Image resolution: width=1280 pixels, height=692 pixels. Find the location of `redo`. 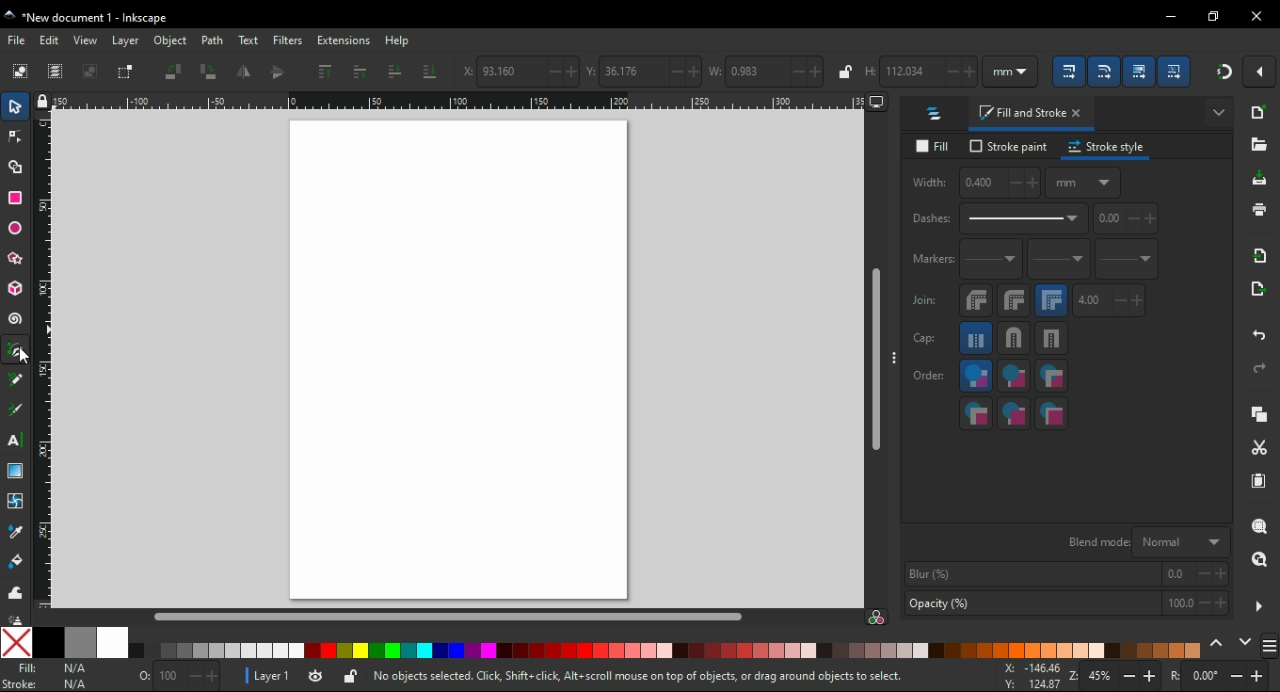

redo is located at coordinates (1258, 368).